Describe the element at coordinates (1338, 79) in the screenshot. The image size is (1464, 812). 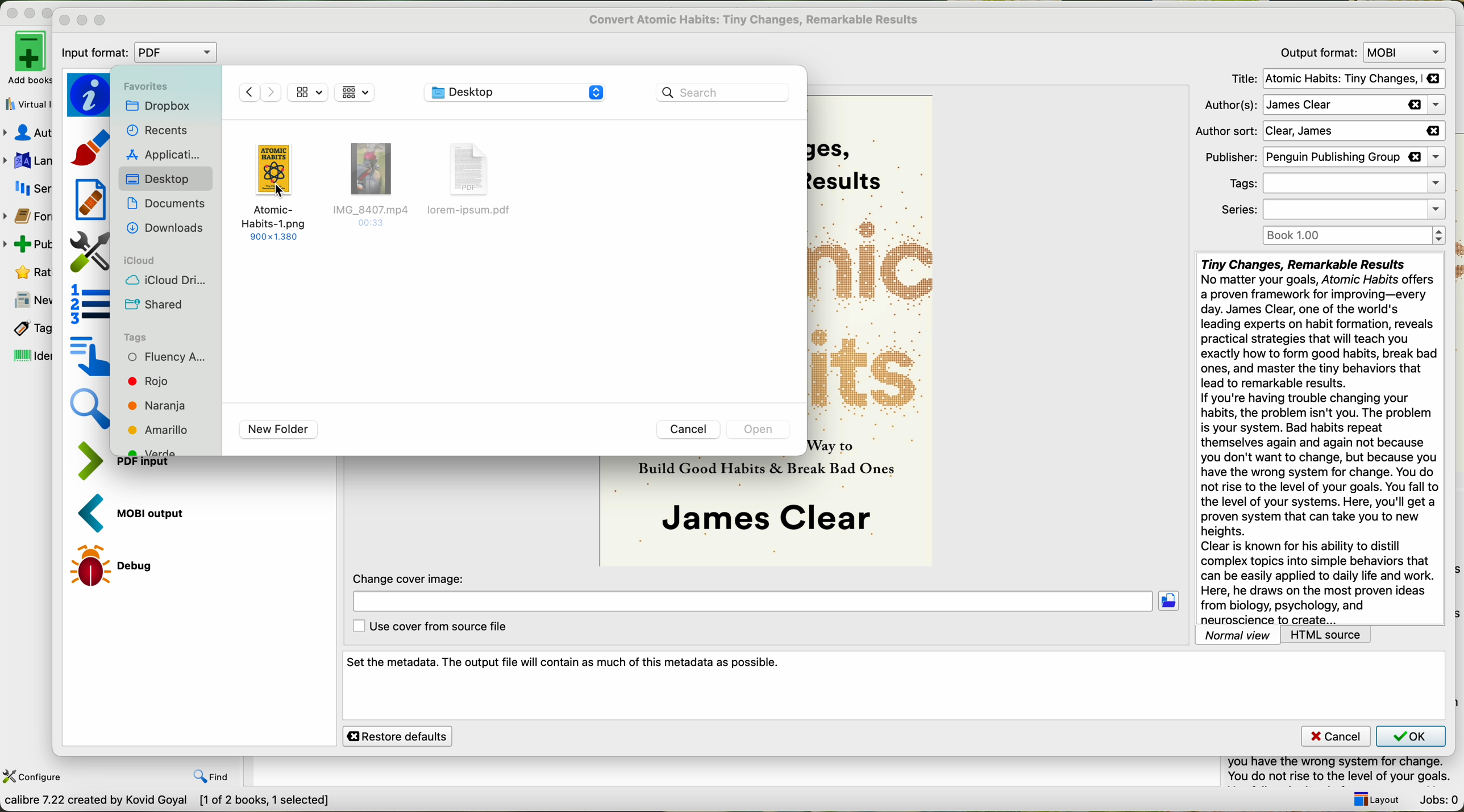
I see `title` at that location.